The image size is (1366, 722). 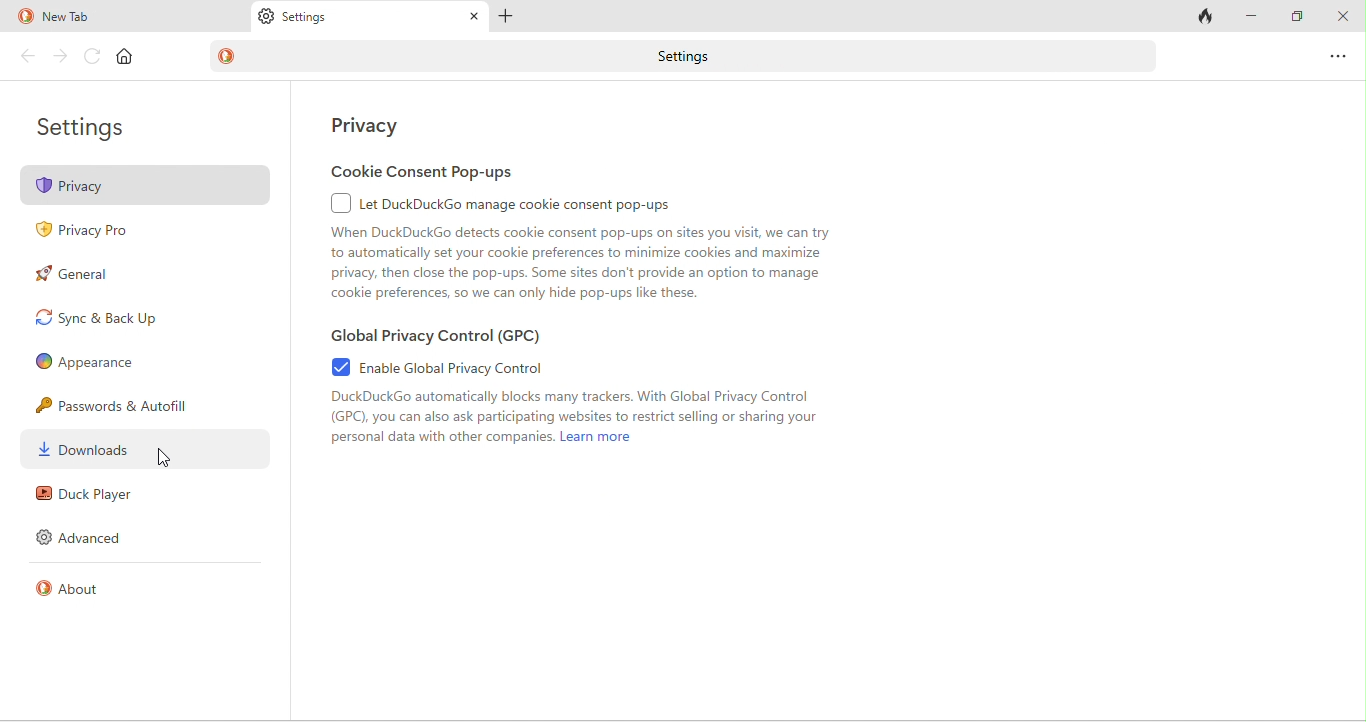 What do you see at coordinates (531, 203) in the screenshot?
I see `let duck duck go image cookie consent pop ups` at bounding box center [531, 203].